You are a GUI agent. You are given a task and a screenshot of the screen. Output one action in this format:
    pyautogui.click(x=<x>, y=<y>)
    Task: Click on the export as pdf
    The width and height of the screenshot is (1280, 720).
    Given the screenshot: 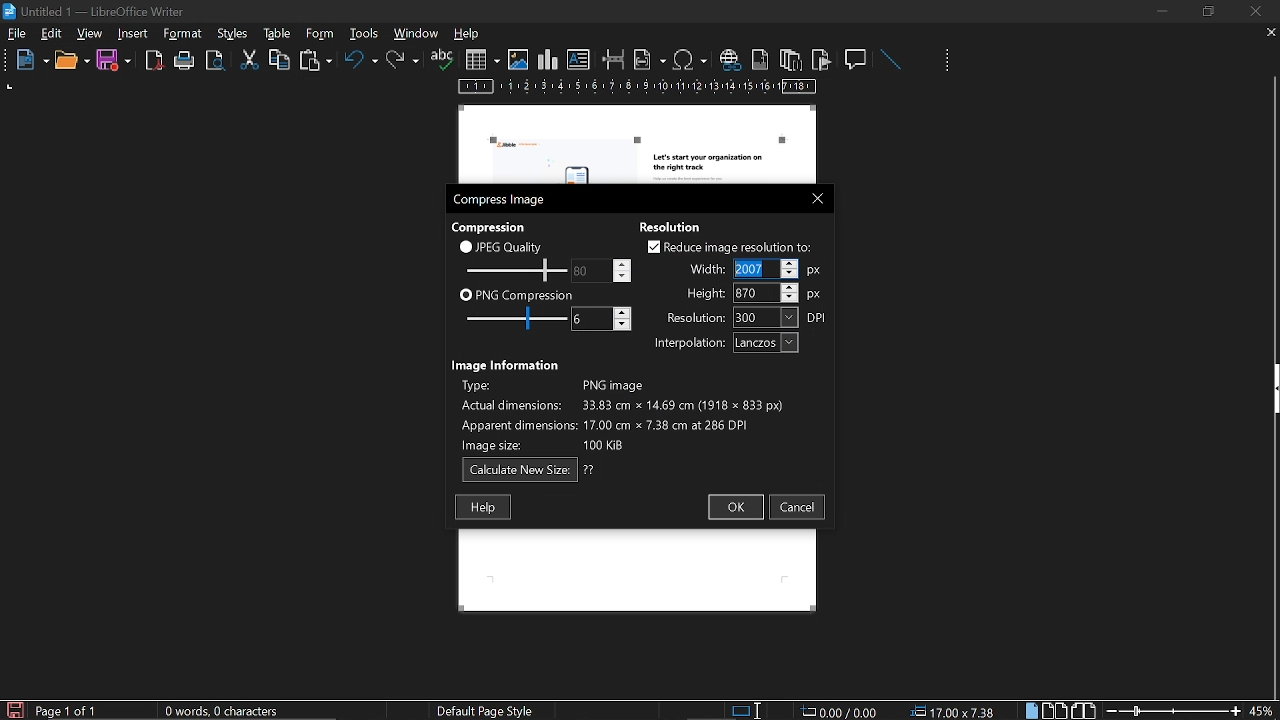 What is the action you would take?
    pyautogui.click(x=155, y=61)
    